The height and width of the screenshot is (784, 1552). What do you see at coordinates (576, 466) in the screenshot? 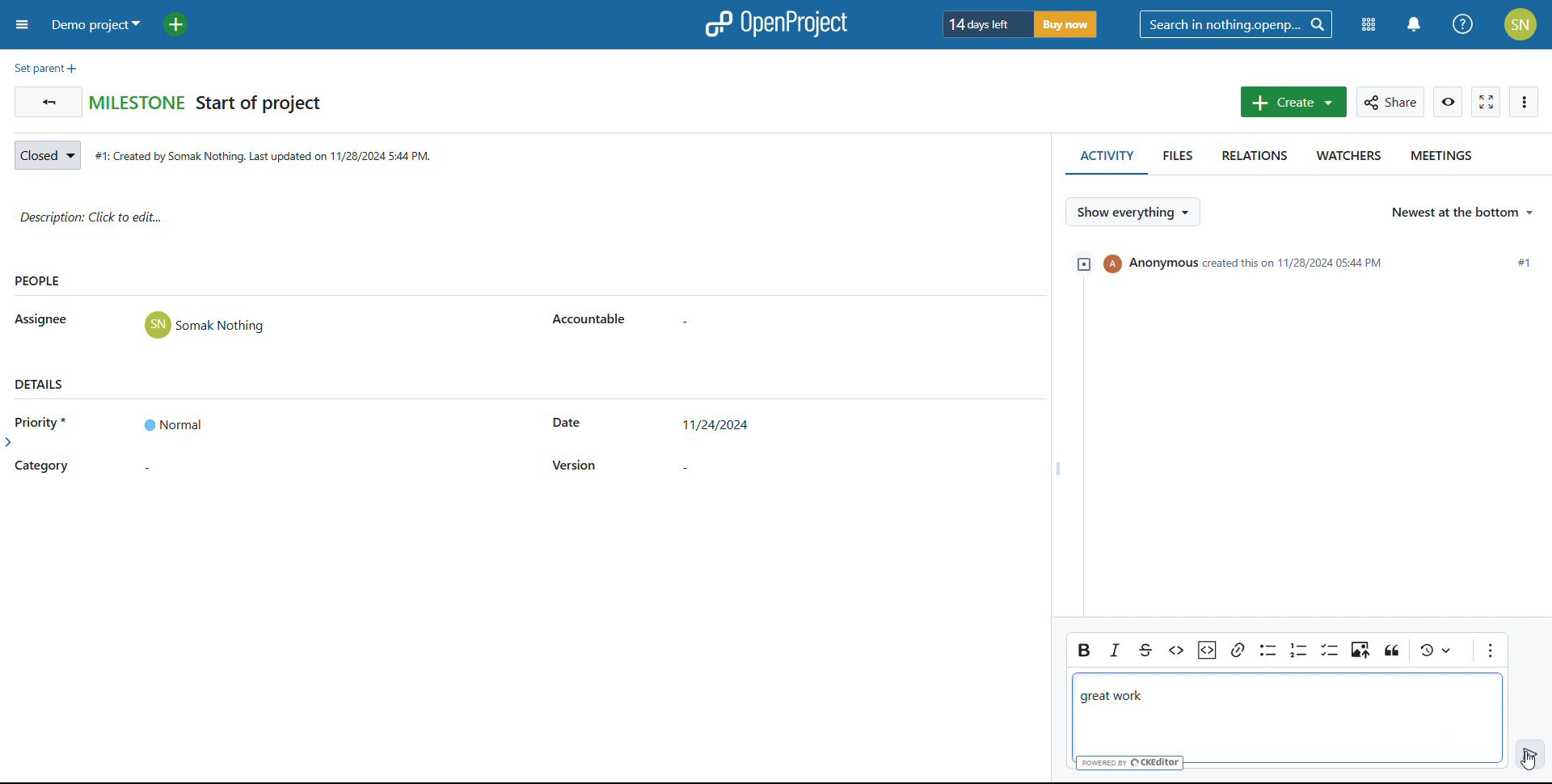
I see `version` at bounding box center [576, 466].